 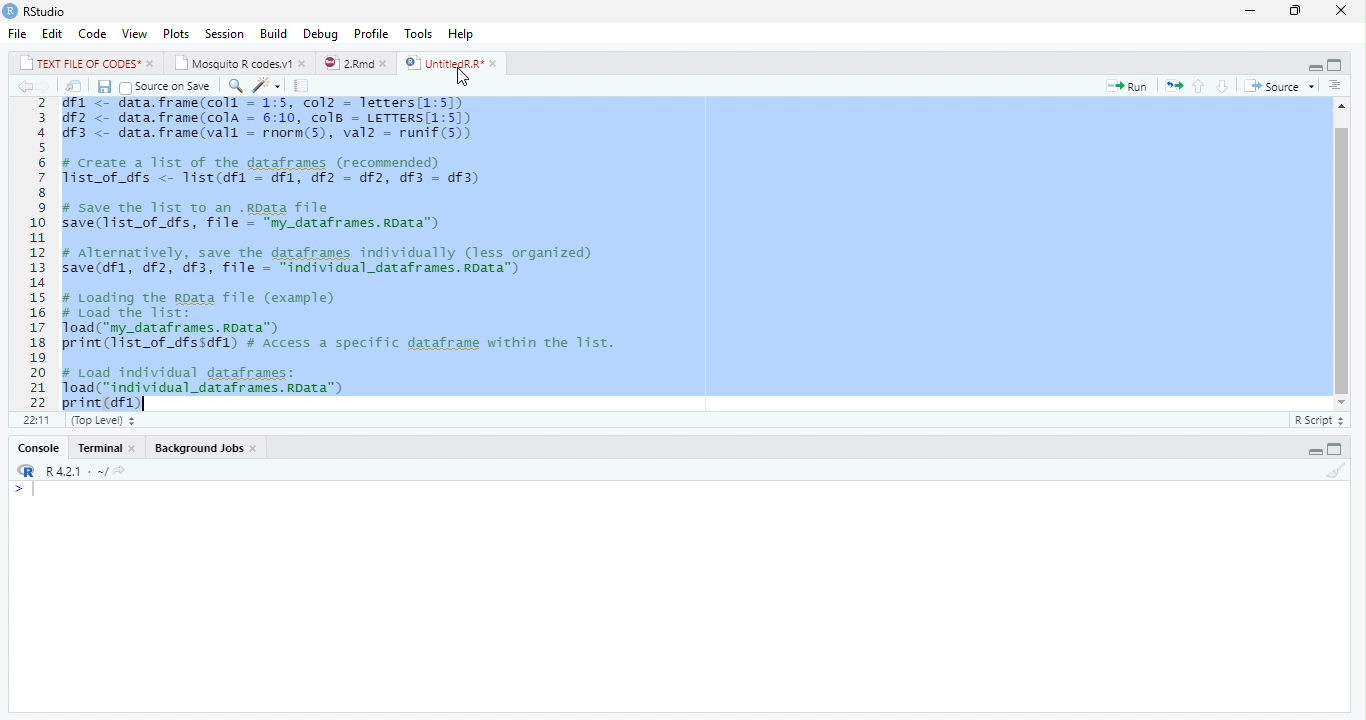 I want to click on Mosquito R codes.v1, so click(x=239, y=62).